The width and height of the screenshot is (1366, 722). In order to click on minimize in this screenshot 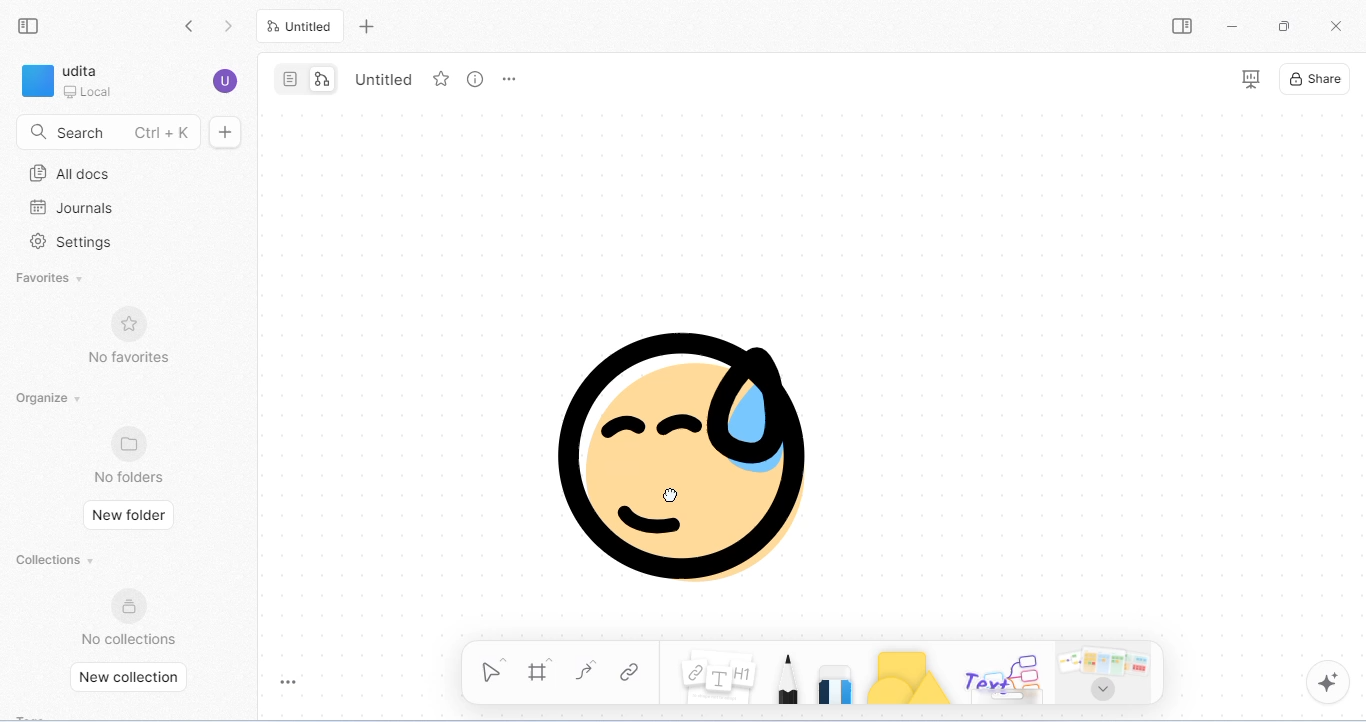, I will do `click(1229, 24)`.